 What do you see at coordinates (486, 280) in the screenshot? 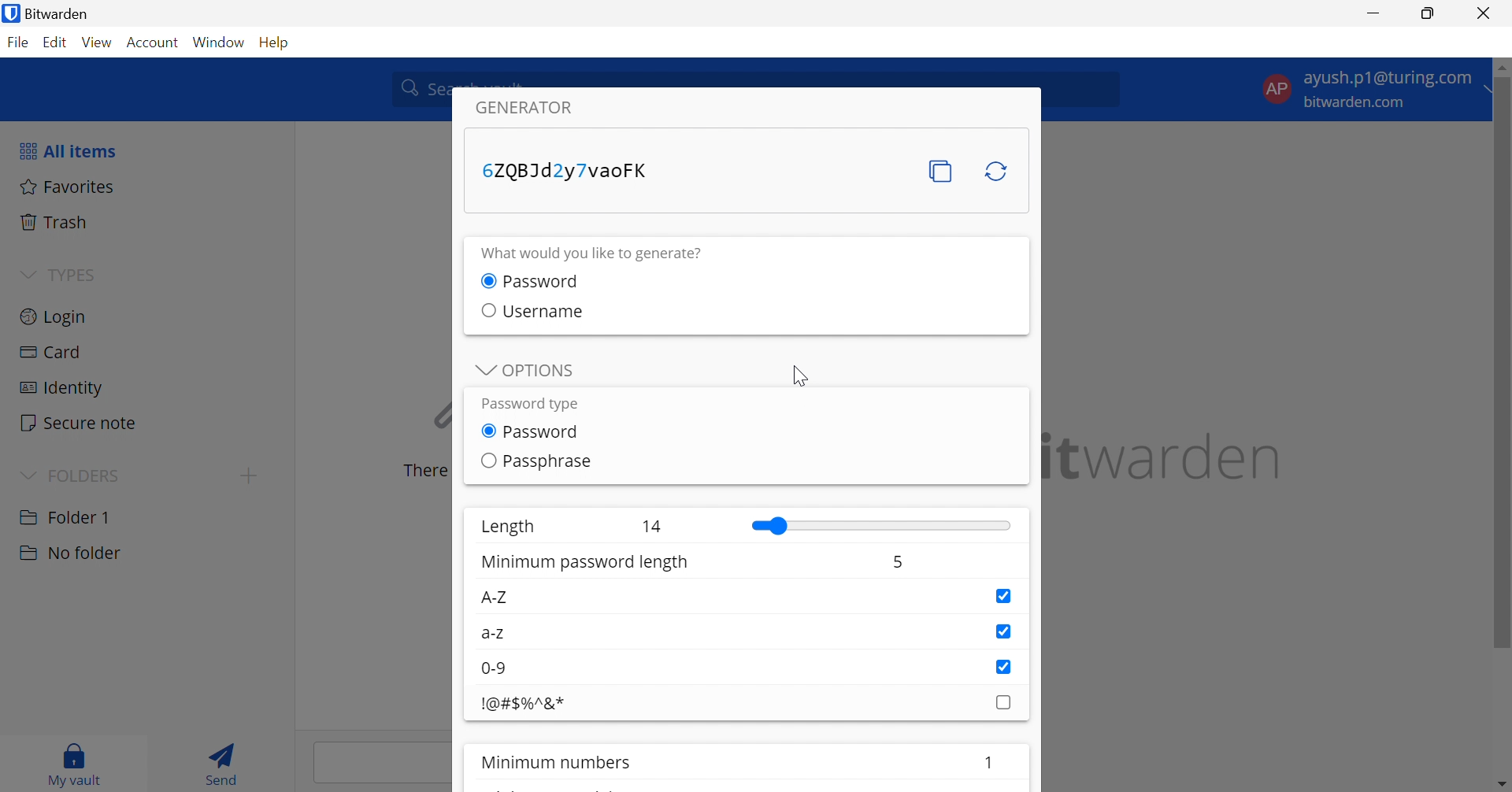
I see `Checkbox` at bounding box center [486, 280].